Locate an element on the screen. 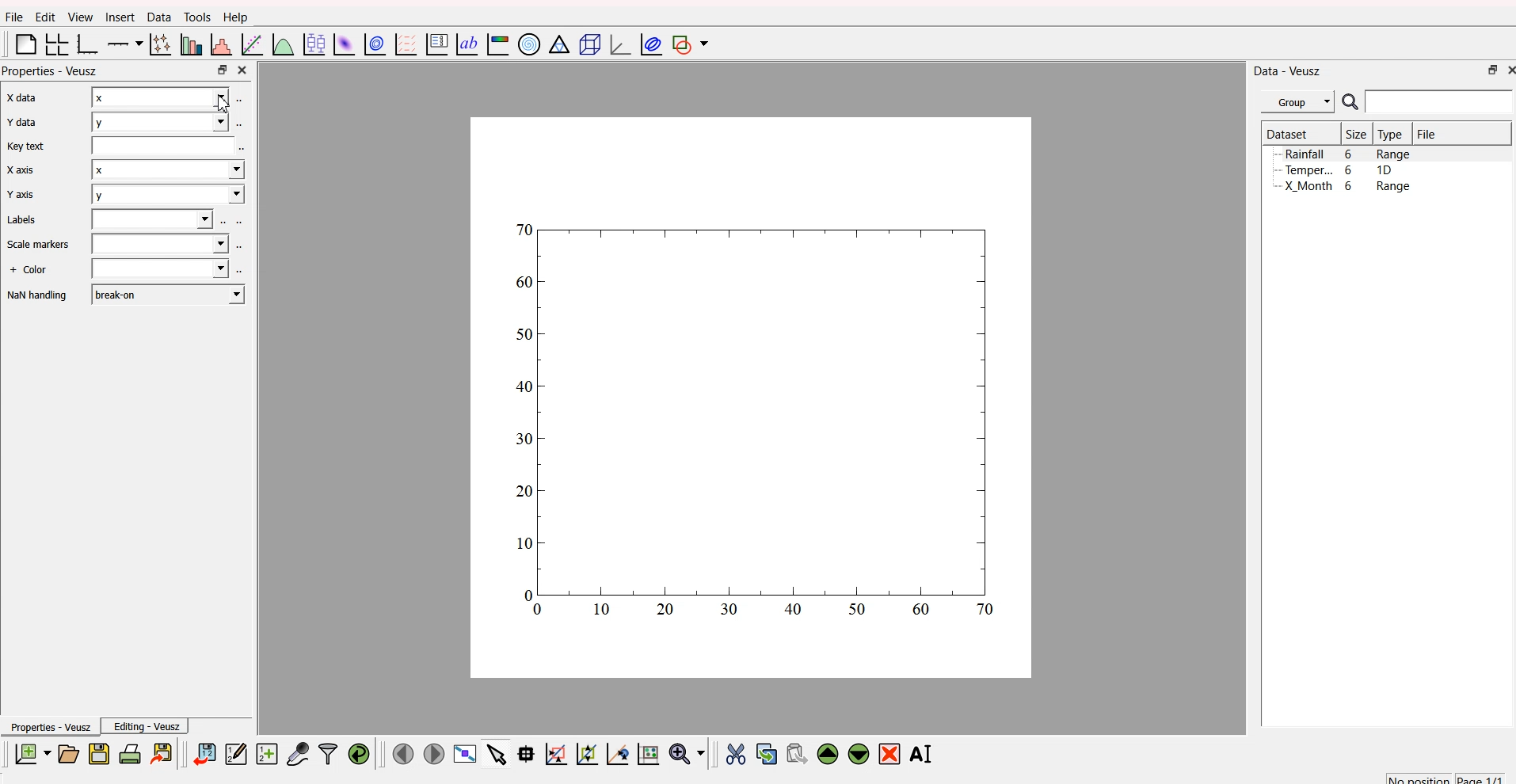 The width and height of the screenshot is (1516, 784). arrange grid in graph is located at coordinates (55, 45).